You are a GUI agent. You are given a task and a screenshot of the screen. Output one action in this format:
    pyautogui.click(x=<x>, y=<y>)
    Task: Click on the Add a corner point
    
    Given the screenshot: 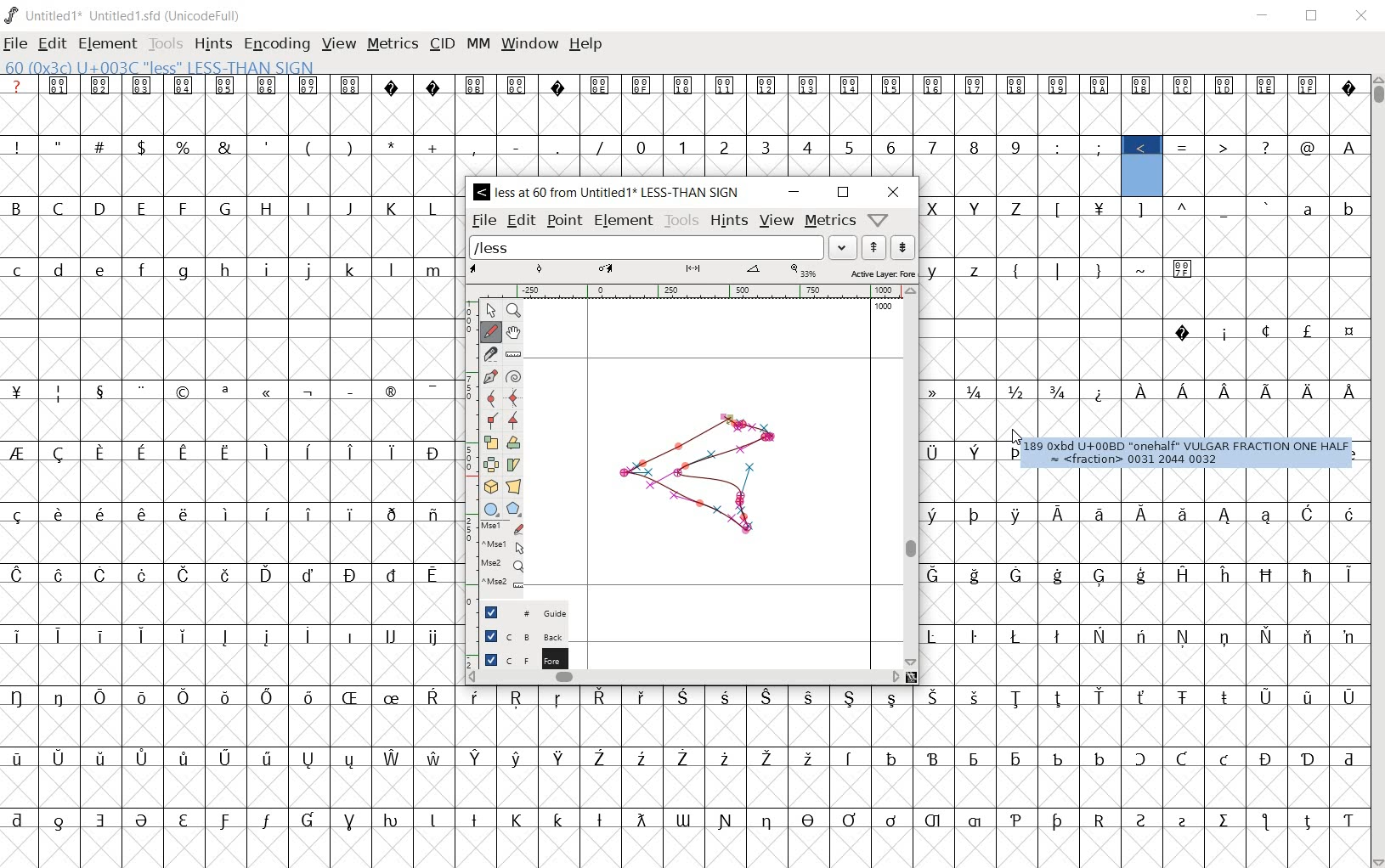 What is the action you would take?
    pyautogui.click(x=492, y=420)
    